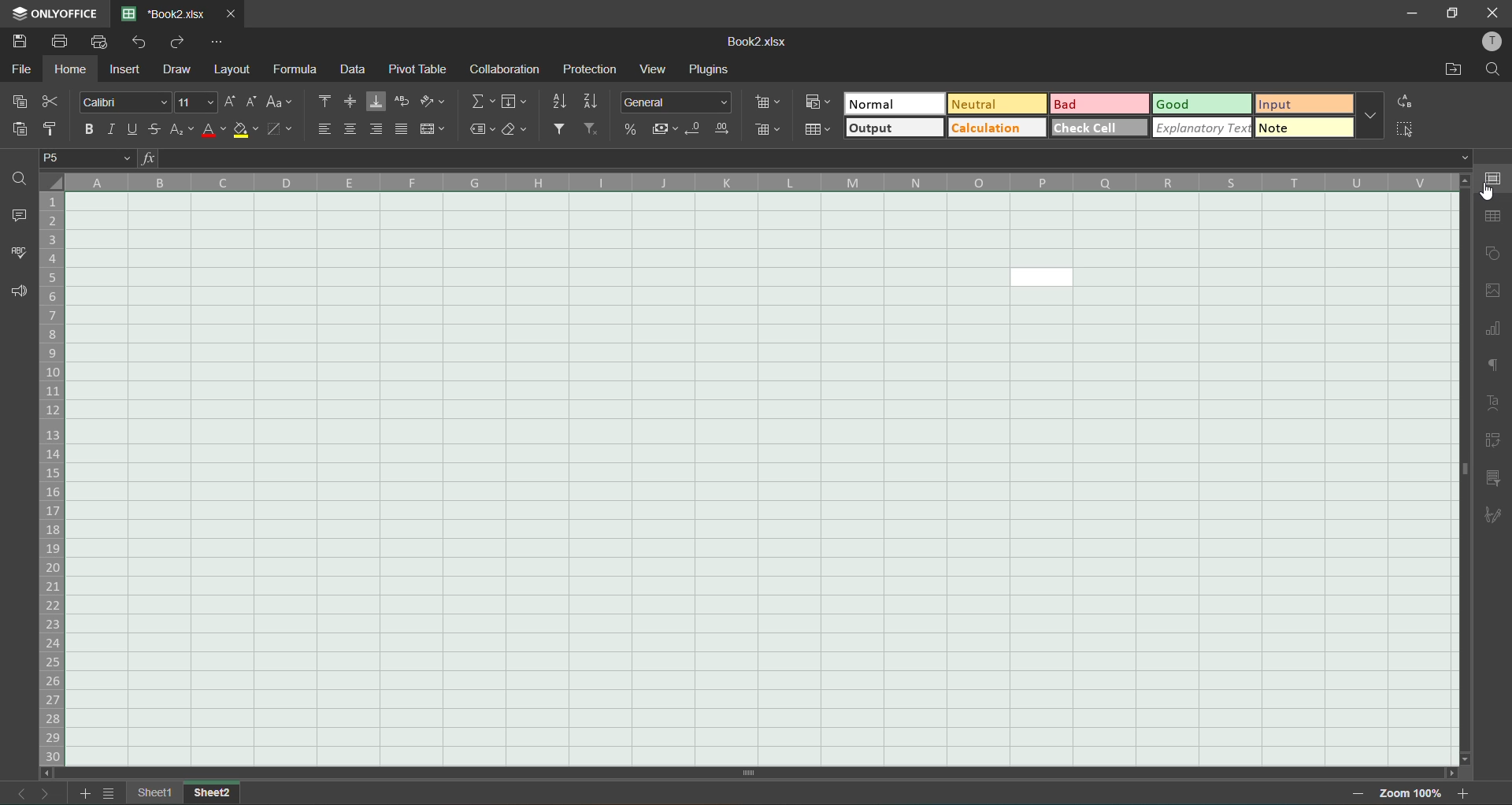 The image size is (1512, 805). What do you see at coordinates (252, 103) in the screenshot?
I see `decrement size` at bounding box center [252, 103].